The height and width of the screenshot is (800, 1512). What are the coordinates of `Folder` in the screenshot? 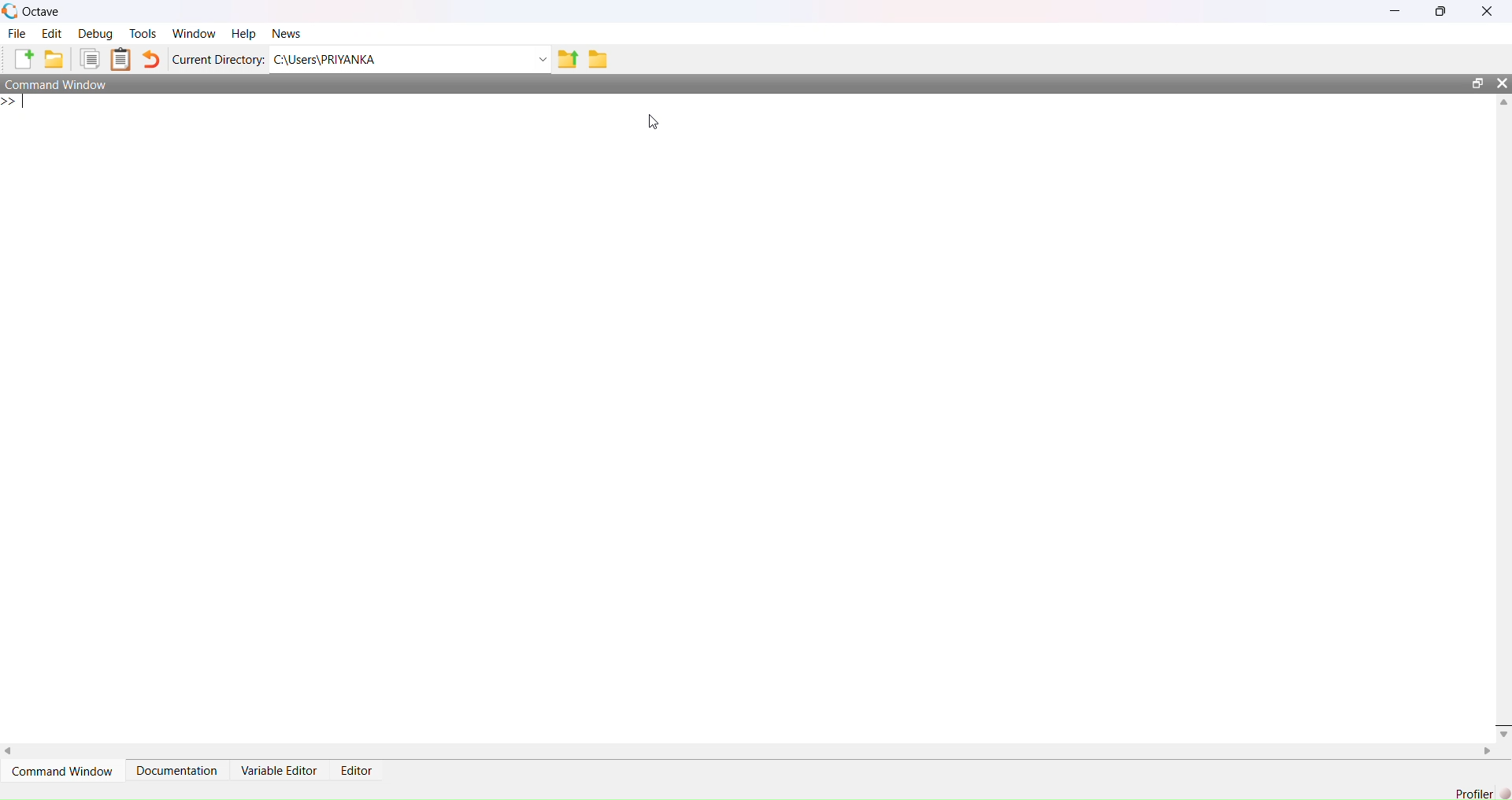 It's located at (597, 61).